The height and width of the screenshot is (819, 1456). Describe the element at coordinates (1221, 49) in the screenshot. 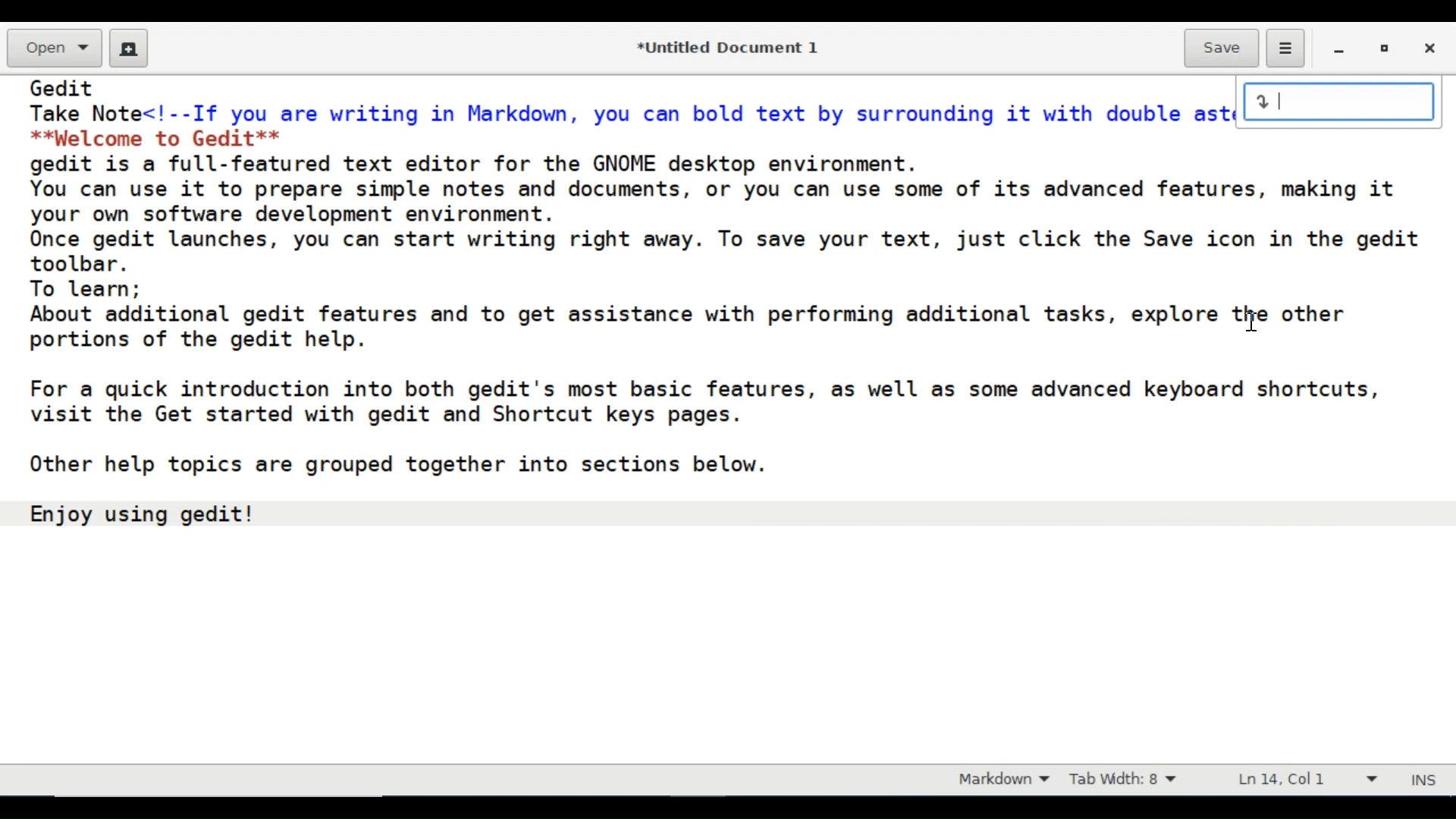

I see `Save` at that location.